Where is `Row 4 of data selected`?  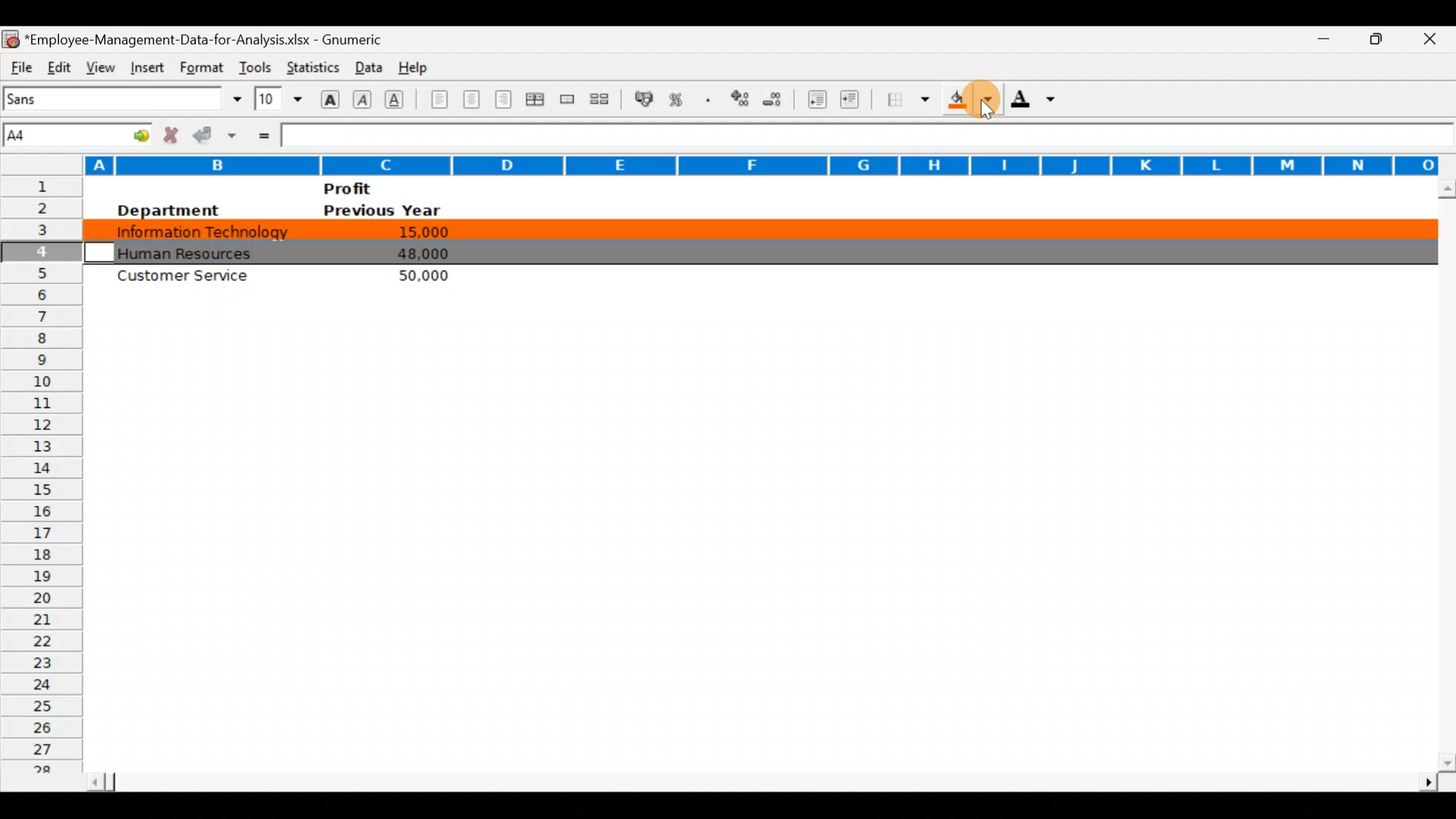 Row 4 of data selected is located at coordinates (759, 251).